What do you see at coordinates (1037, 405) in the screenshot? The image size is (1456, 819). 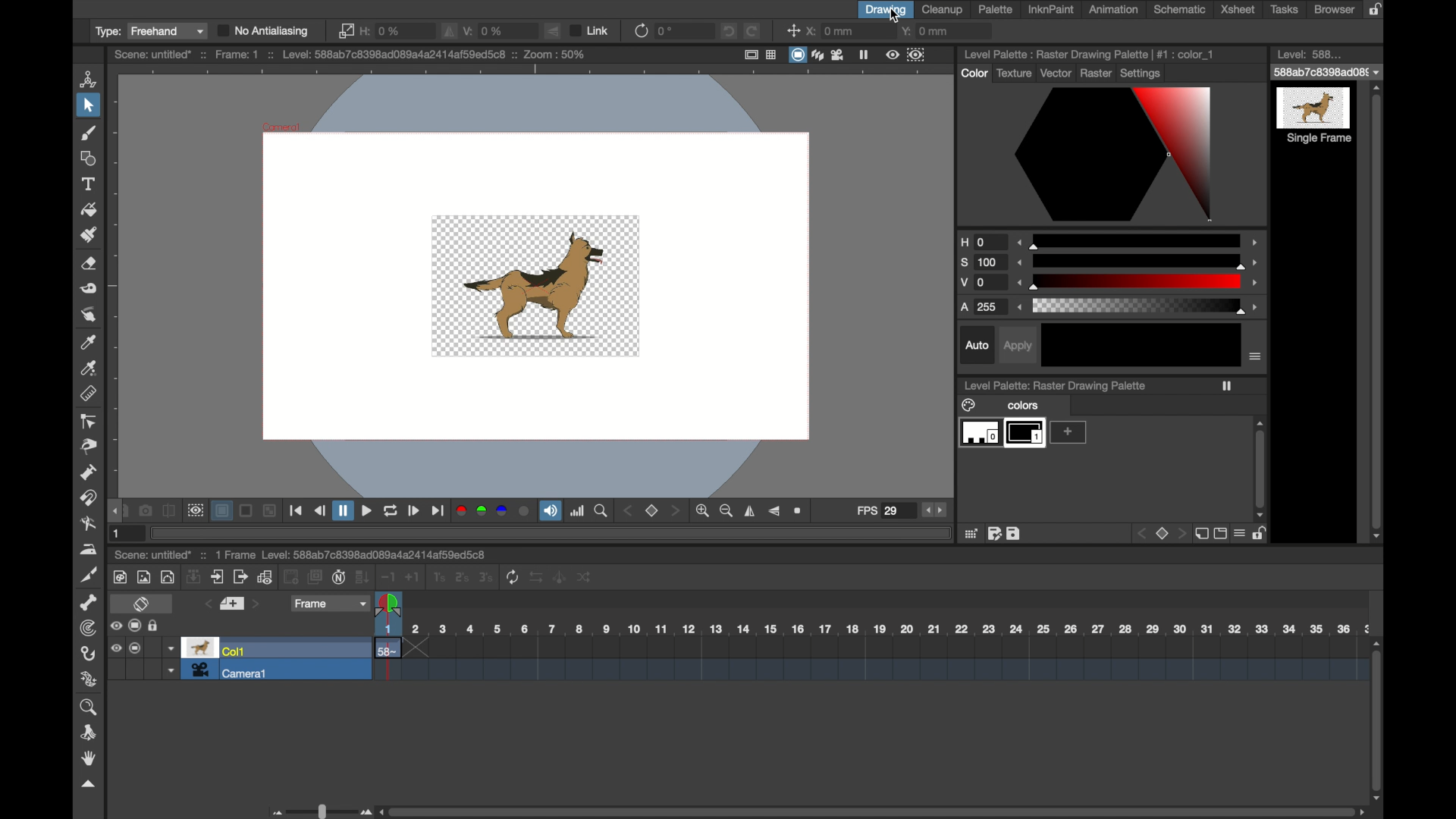 I see `color` at bounding box center [1037, 405].